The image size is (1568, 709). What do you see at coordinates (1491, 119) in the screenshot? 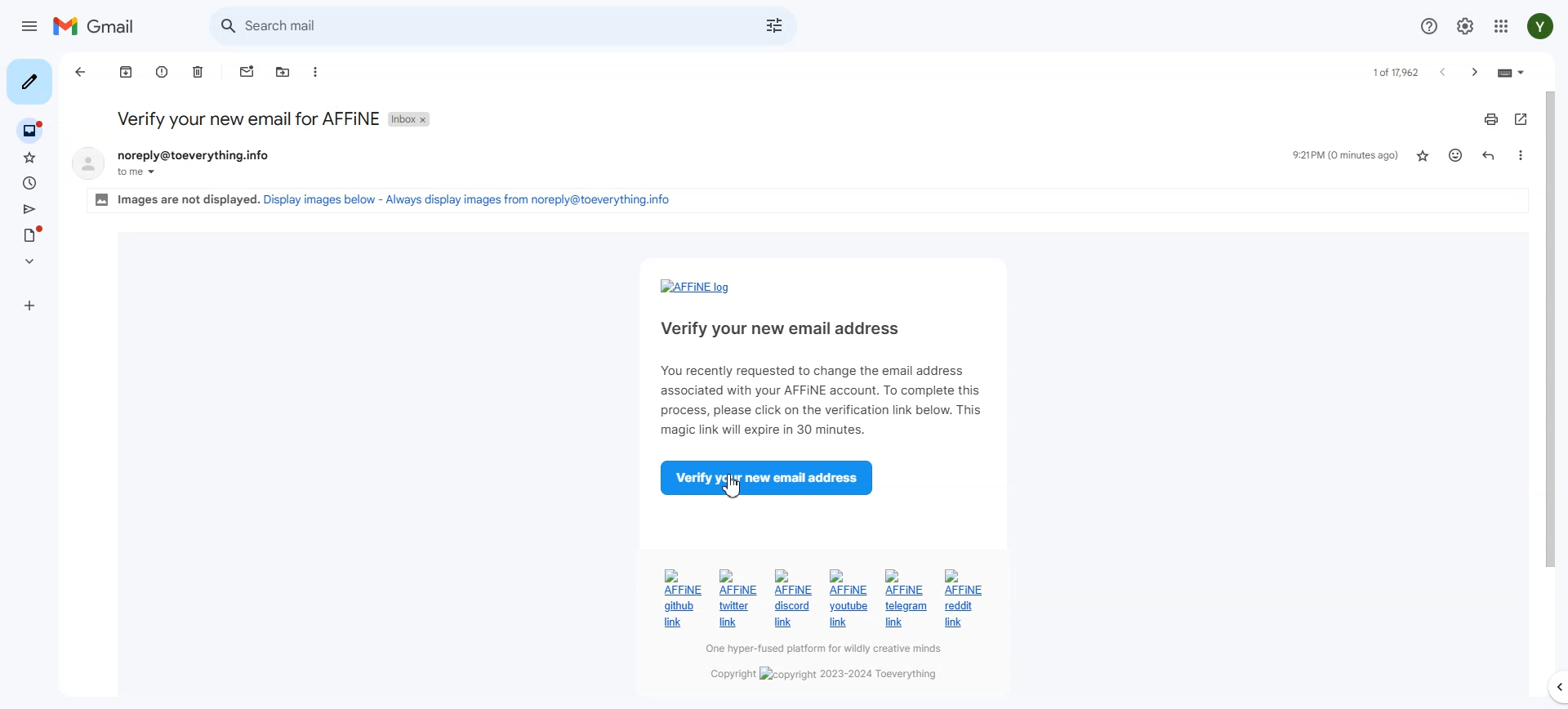
I see `Print all` at bounding box center [1491, 119].